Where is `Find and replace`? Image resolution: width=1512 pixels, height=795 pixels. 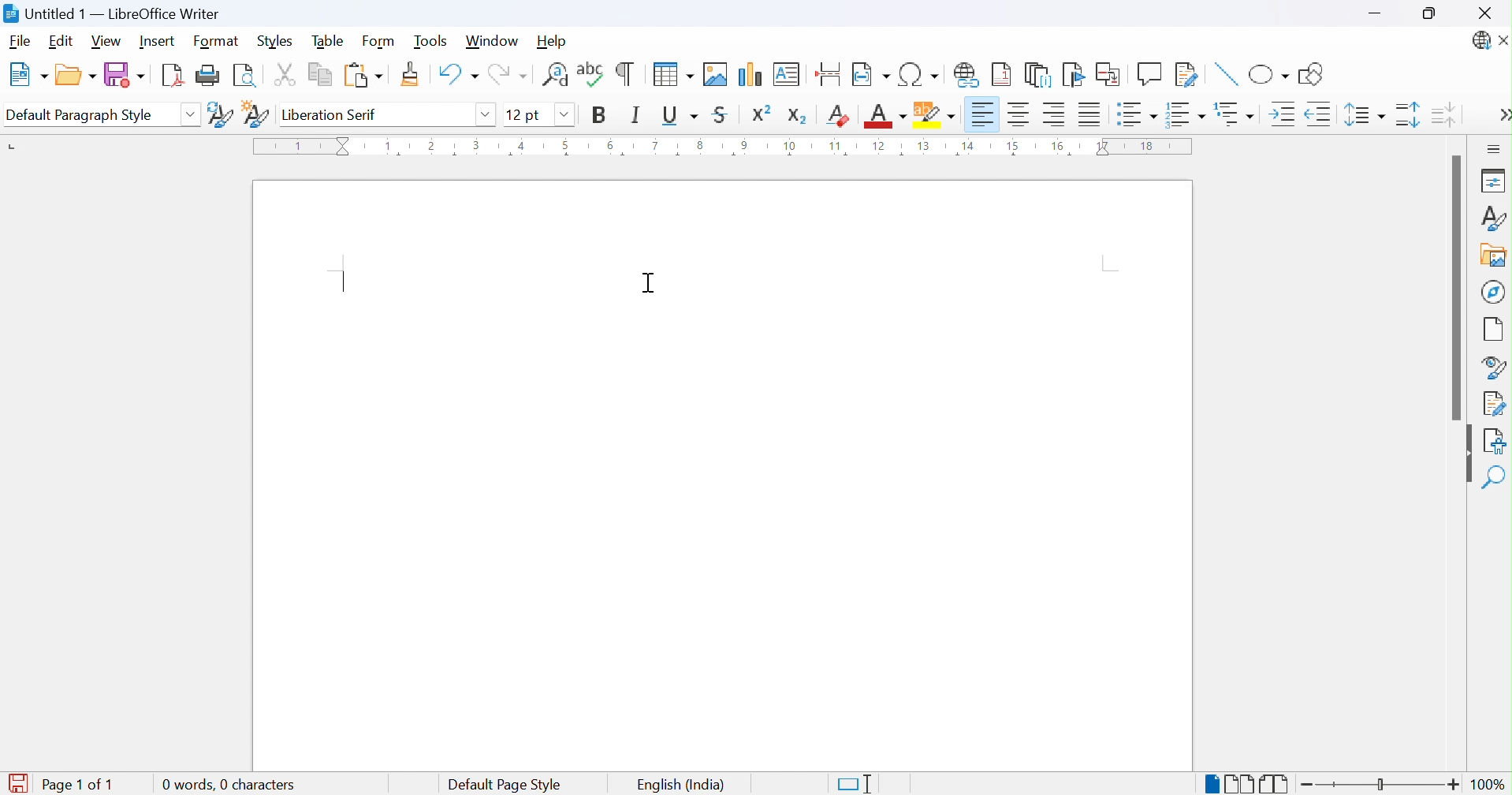
Find and replace is located at coordinates (556, 73).